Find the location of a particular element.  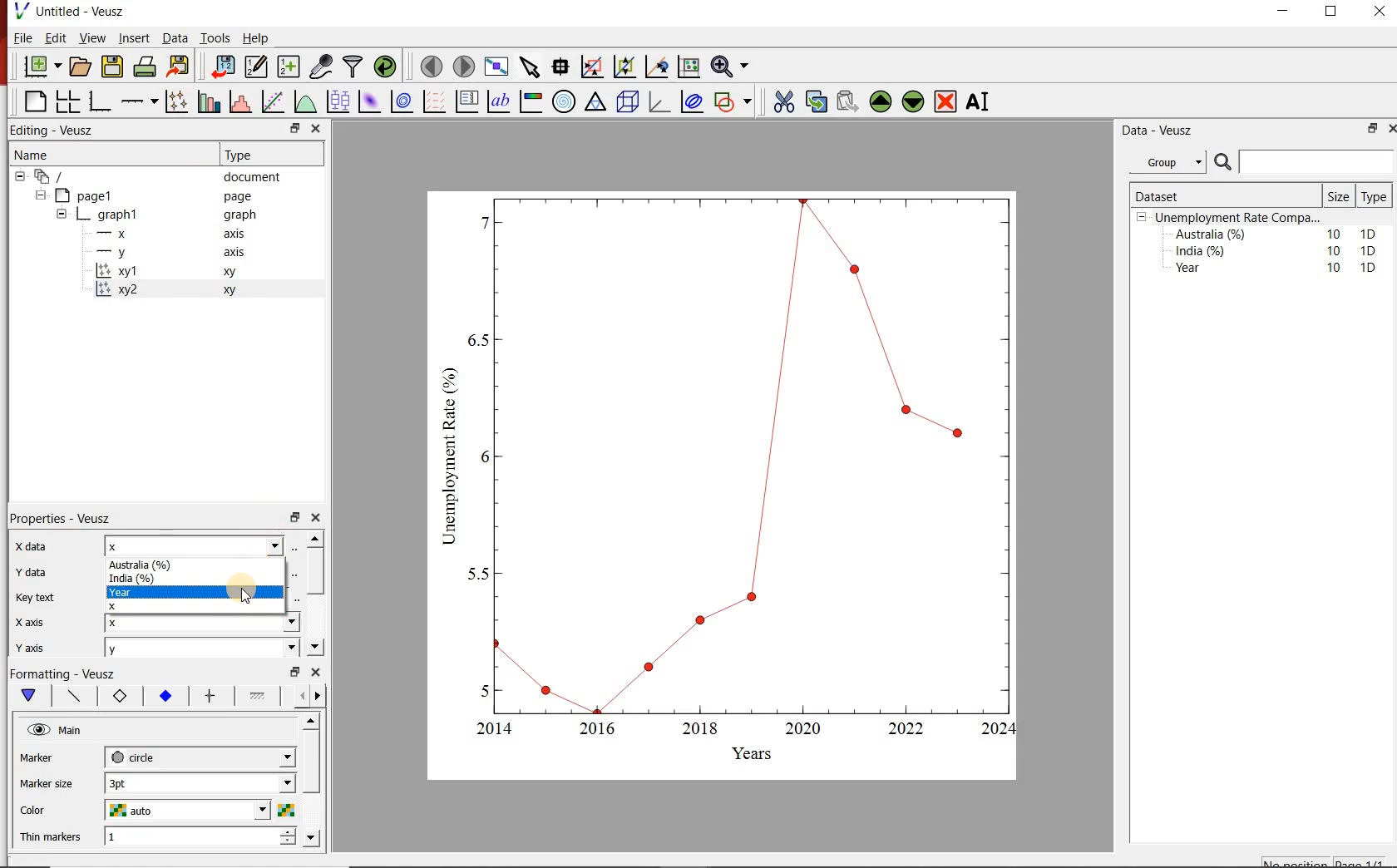

y axis is located at coordinates (41, 645).